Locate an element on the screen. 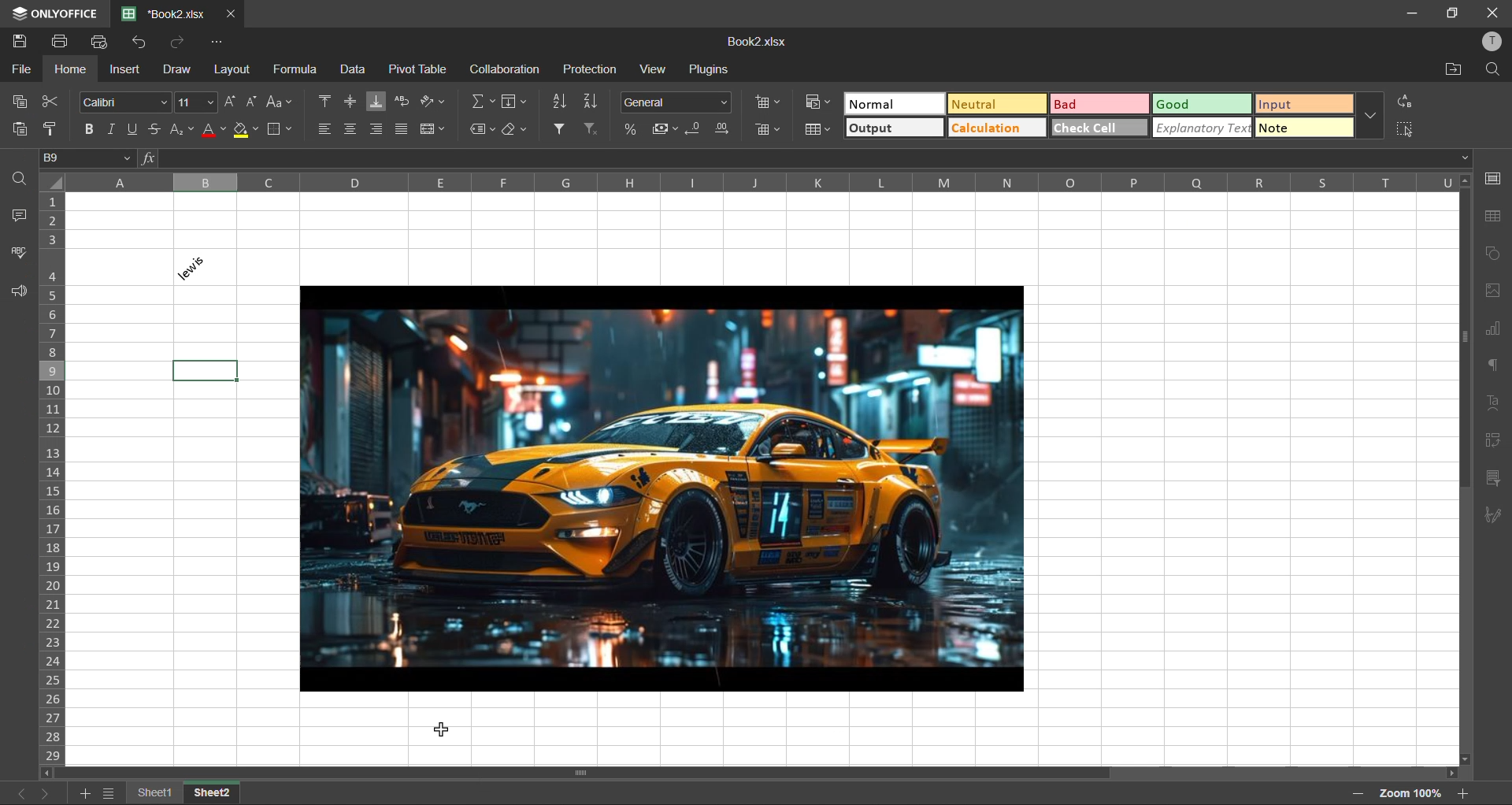  formula bar is located at coordinates (806, 158).